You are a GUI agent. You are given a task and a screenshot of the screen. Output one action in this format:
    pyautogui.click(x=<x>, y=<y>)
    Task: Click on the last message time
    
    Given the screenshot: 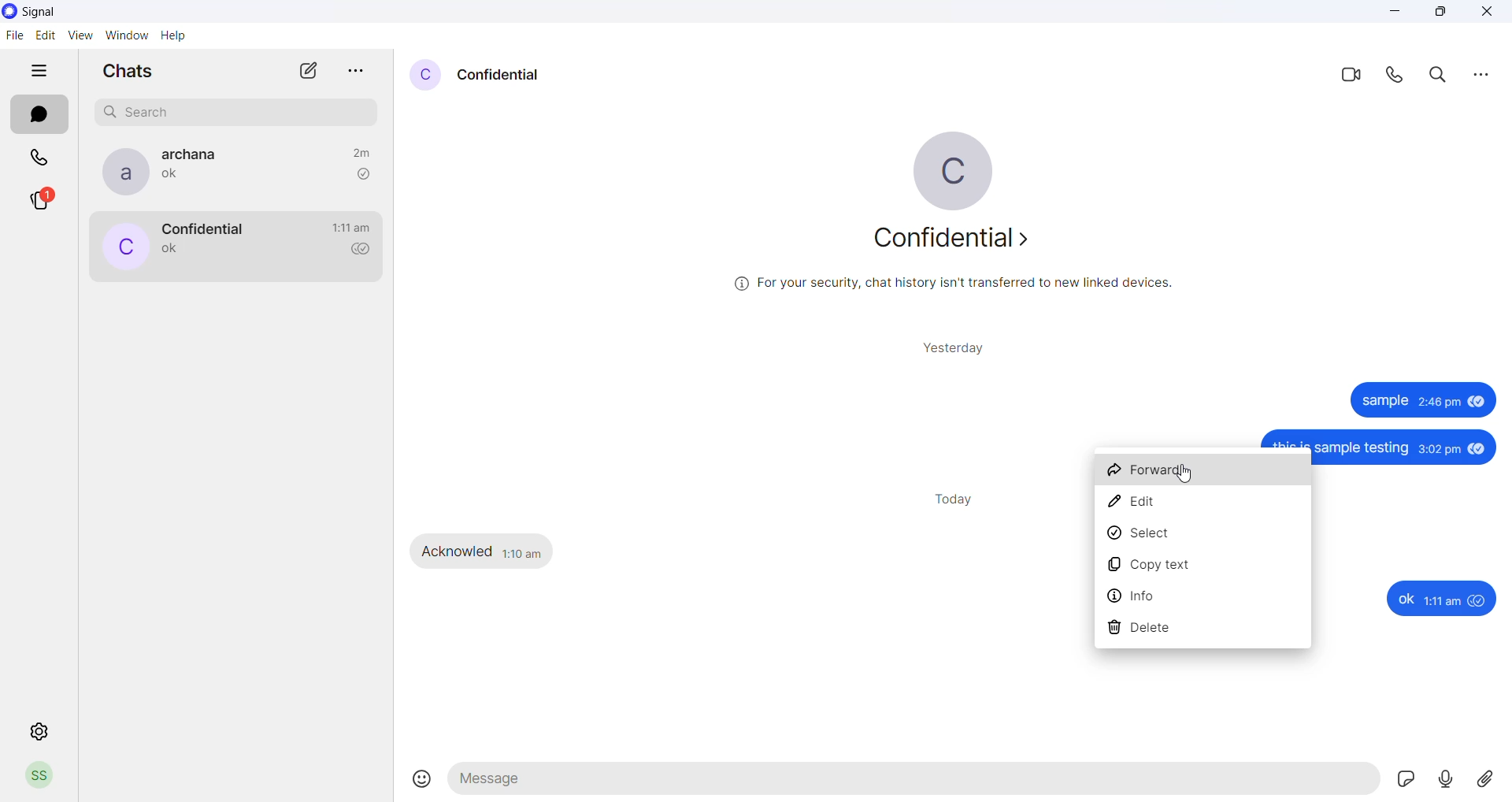 What is the action you would take?
    pyautogui.click(x=351, y=228)
    